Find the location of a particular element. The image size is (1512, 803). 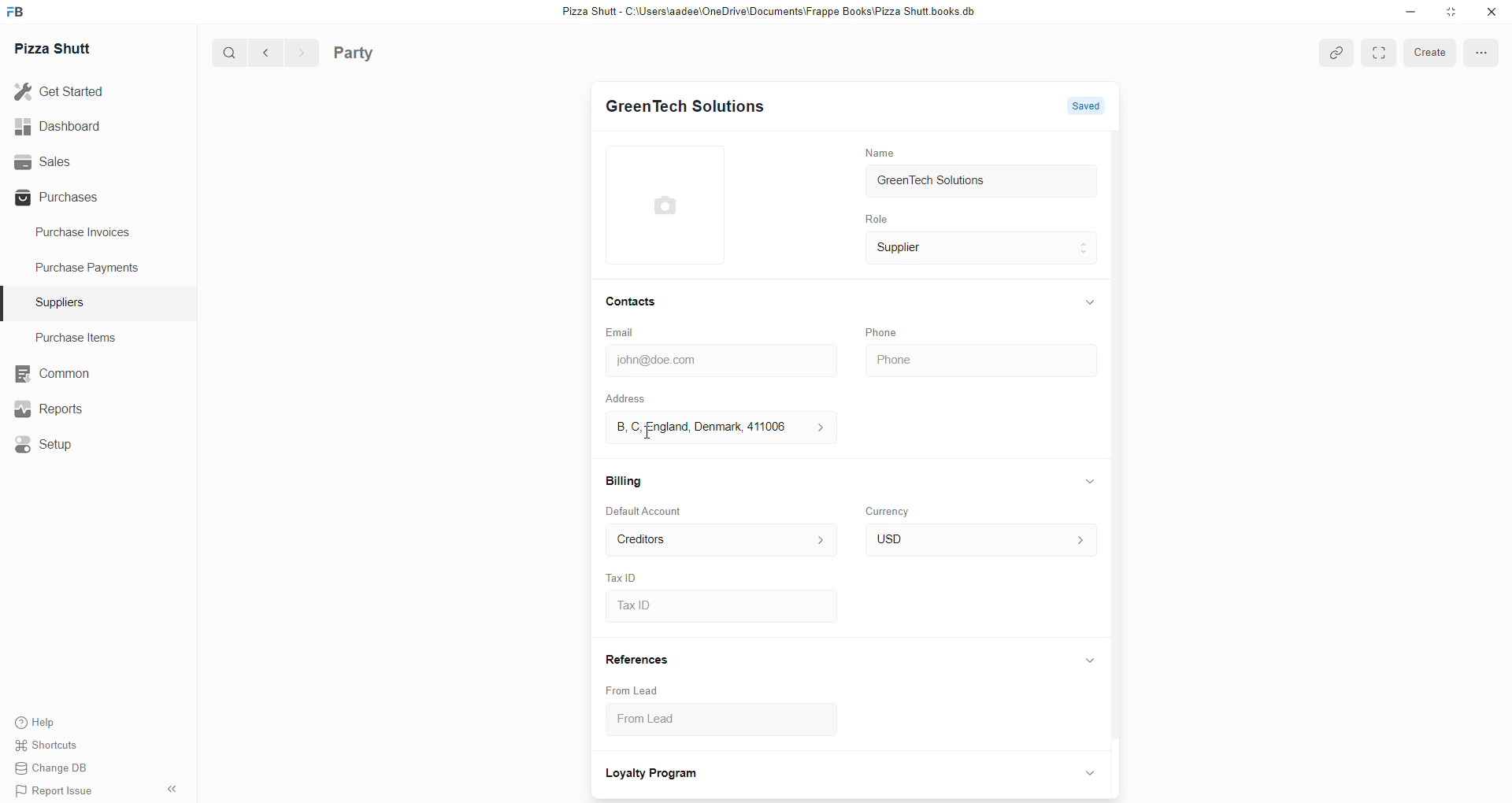

Get Started is located at coordinates (71, 94).